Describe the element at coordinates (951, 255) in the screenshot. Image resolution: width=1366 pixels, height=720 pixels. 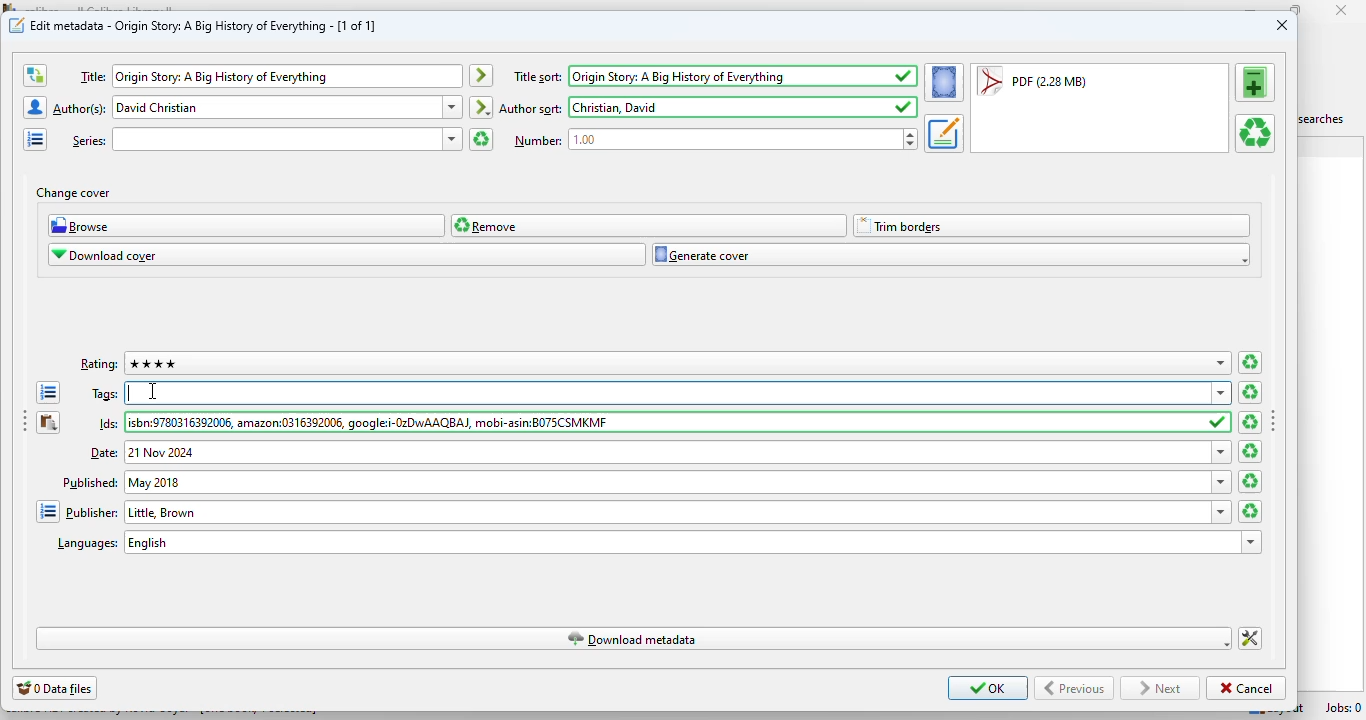
I see `generate cover` at that location.